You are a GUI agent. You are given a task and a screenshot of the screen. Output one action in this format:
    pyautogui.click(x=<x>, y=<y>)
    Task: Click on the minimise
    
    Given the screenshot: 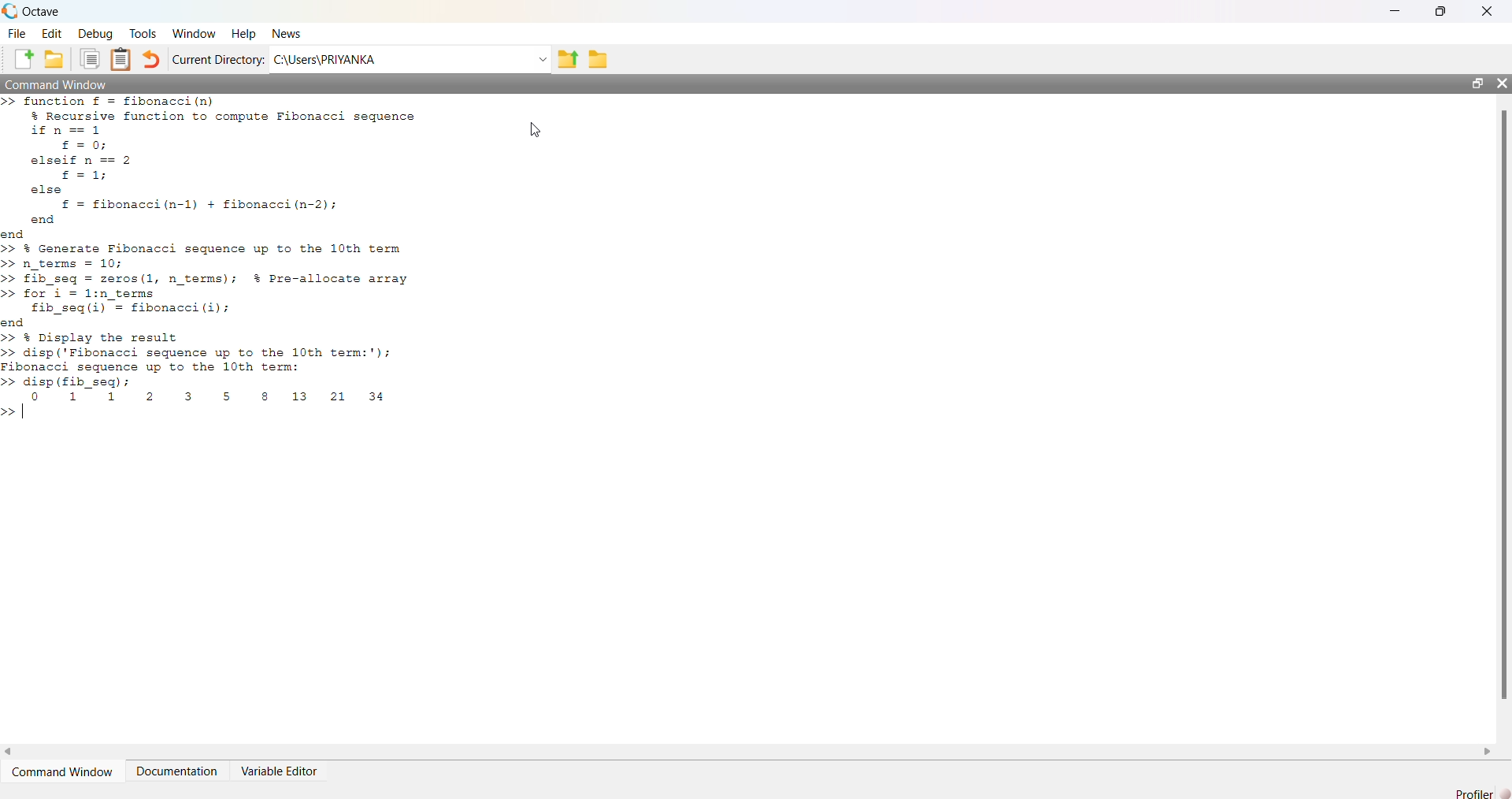 What is the action you would take?
    pyautogui.click(x=1395, y=9)
    